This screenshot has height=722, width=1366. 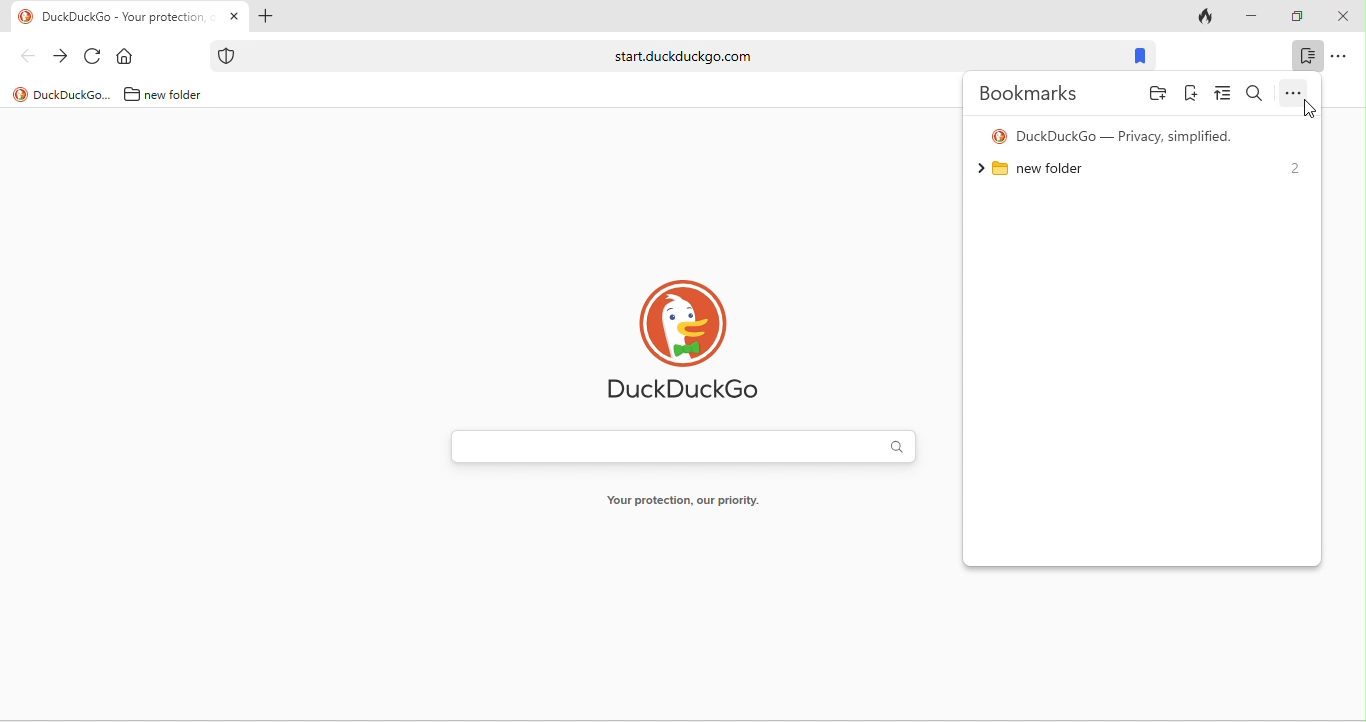 What do you see at coordinates (234, 15) in the screenshot?
I see `close tab` at bounding box center [234, 15].